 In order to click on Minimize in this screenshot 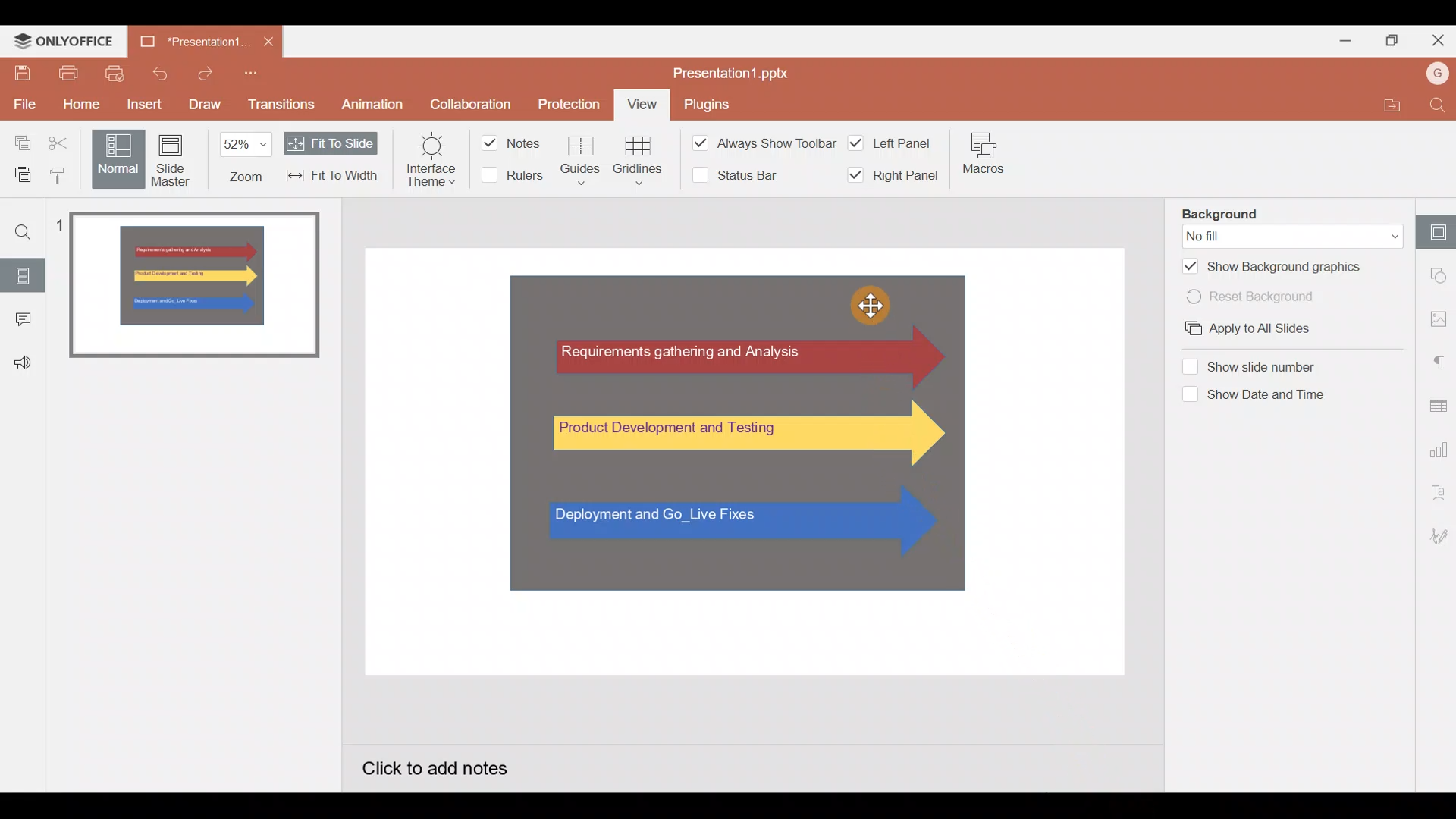, I will do `click(1343, 42)`.